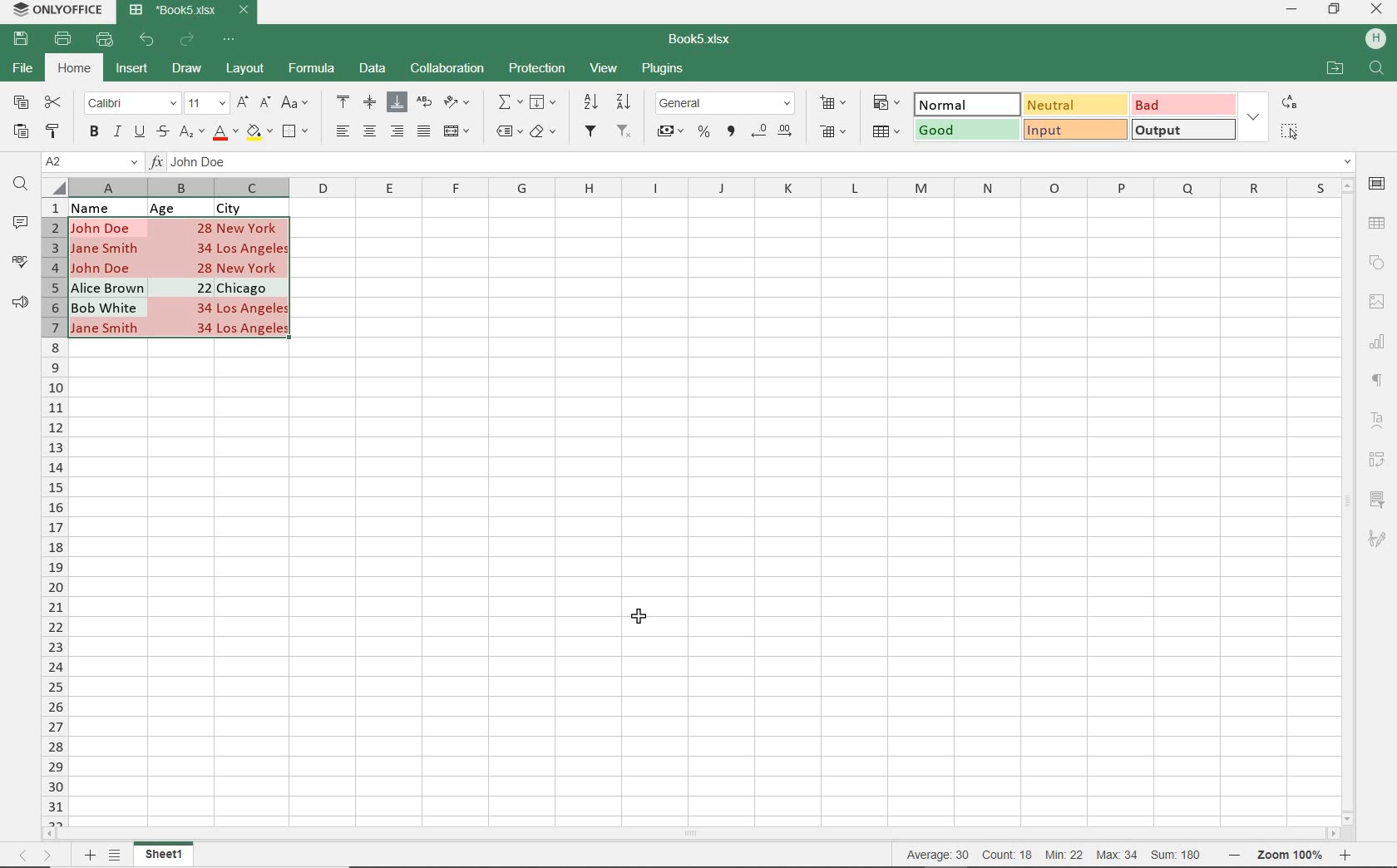  What do you see at coordinates (423, 131) in the screenshot?
I see `JUSTIFIED` at bounding box center [423, 131].